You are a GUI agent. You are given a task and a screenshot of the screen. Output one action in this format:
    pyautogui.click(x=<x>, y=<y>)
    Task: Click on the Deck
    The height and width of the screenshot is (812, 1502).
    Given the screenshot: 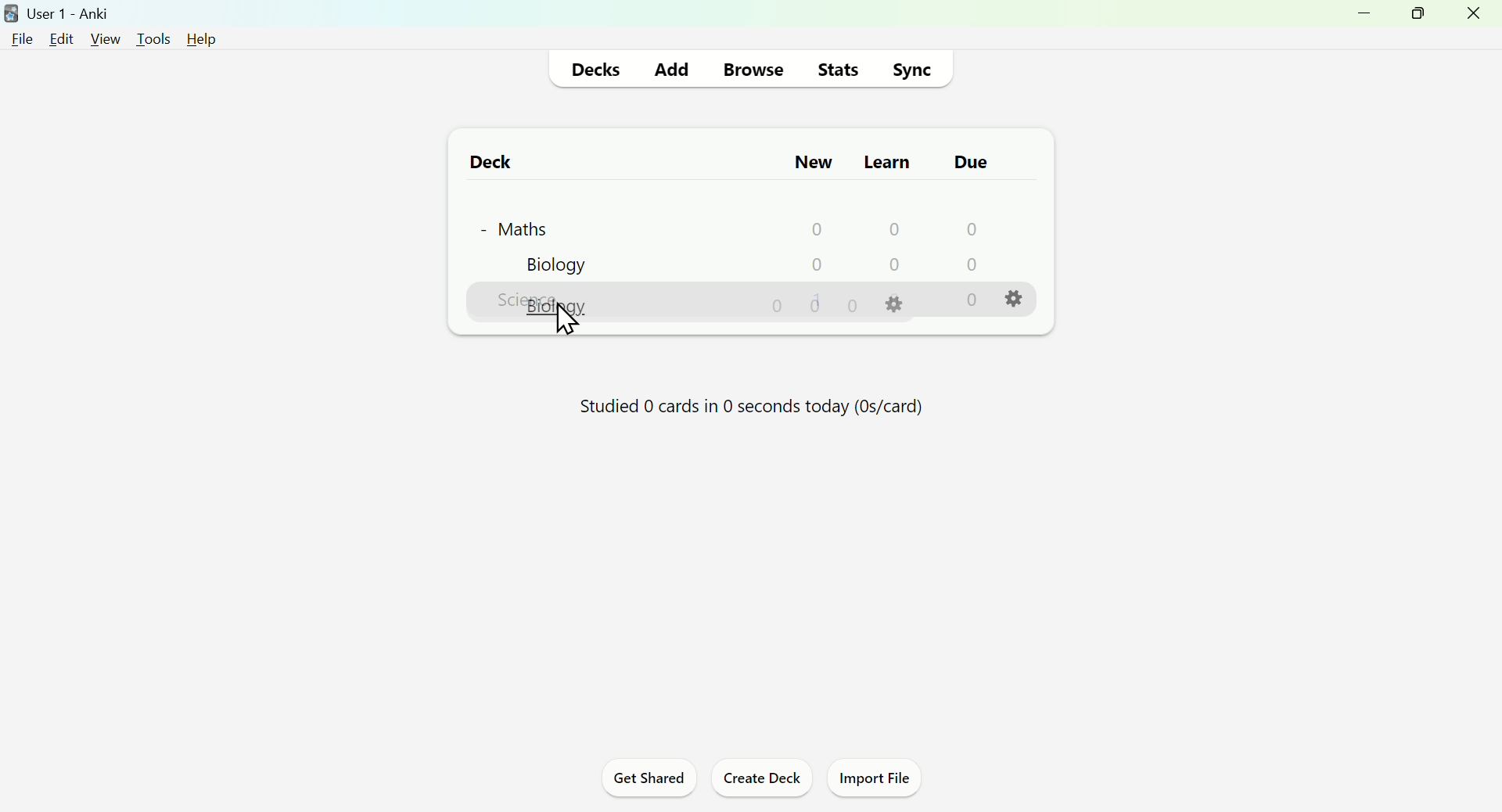 What is the action you would take?
    pyautogui.click(x=483, y=161)
    